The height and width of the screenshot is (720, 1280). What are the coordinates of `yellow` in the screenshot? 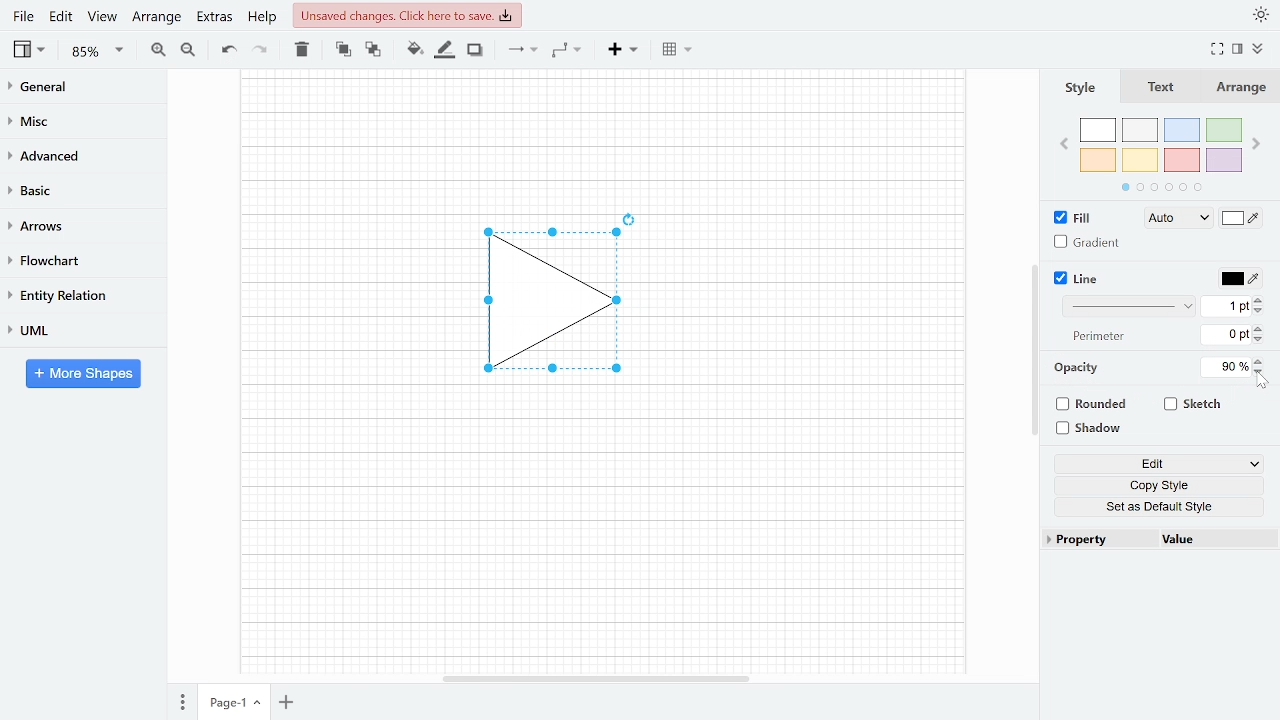 It's located at (1141, 159).